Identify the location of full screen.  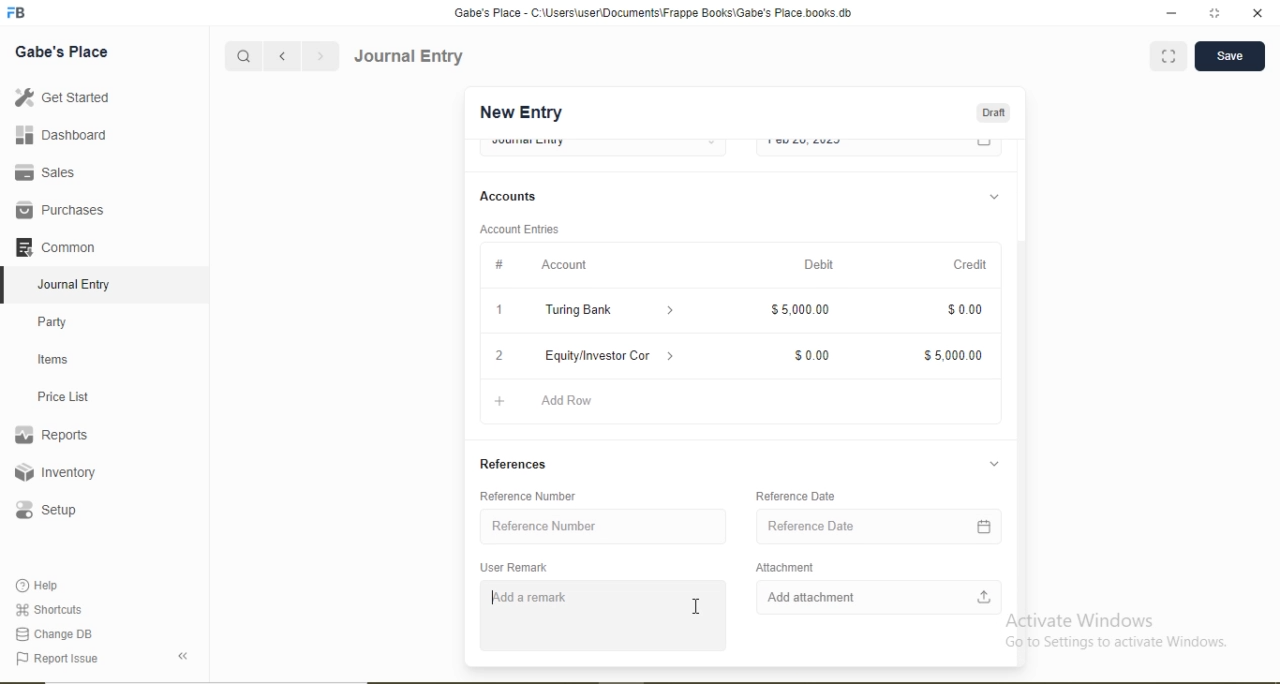
(1215, 13).